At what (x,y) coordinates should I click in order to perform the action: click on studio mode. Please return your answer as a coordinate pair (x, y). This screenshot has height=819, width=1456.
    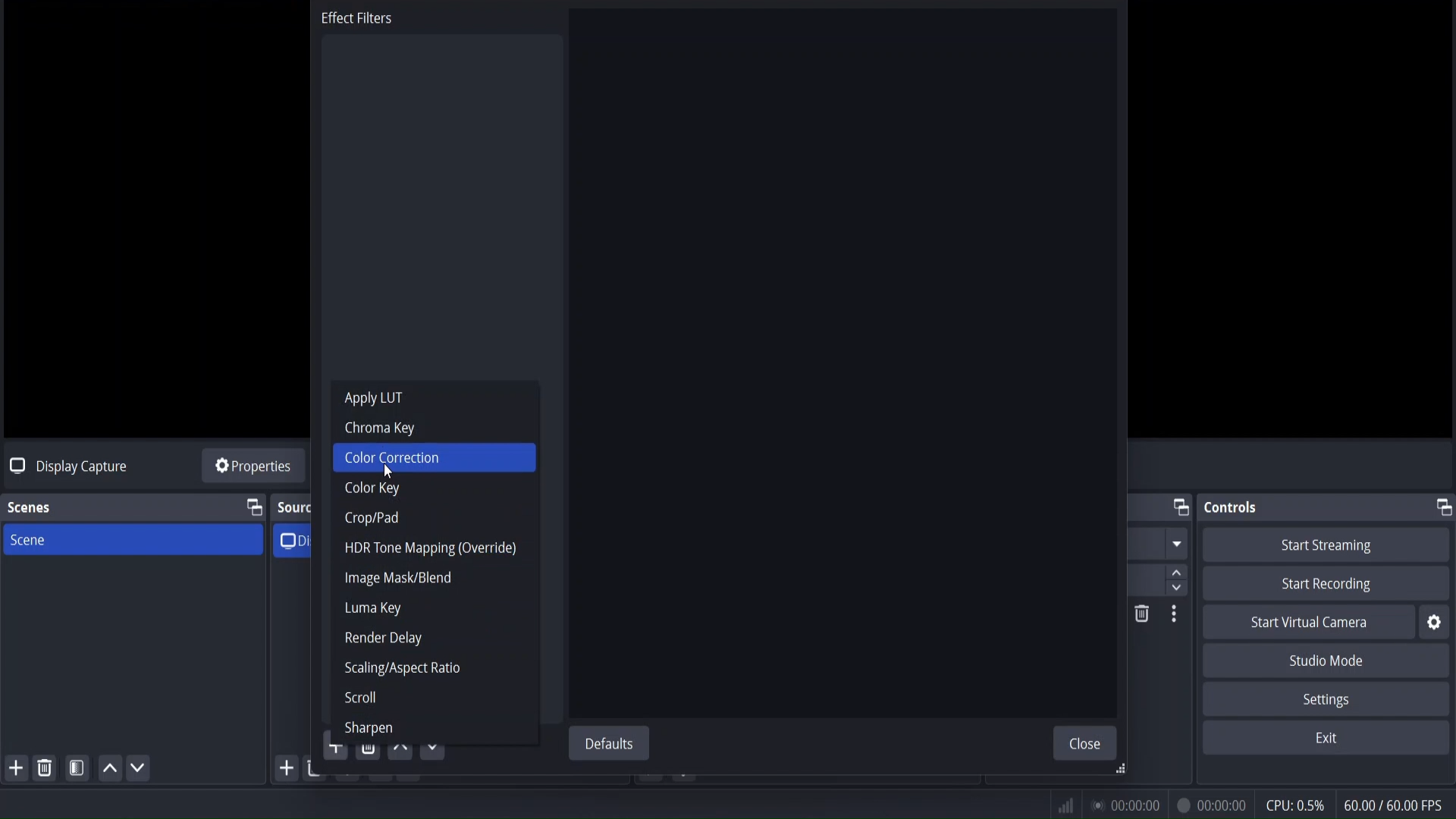
    Looking at the image, I should click on (1329, 661).